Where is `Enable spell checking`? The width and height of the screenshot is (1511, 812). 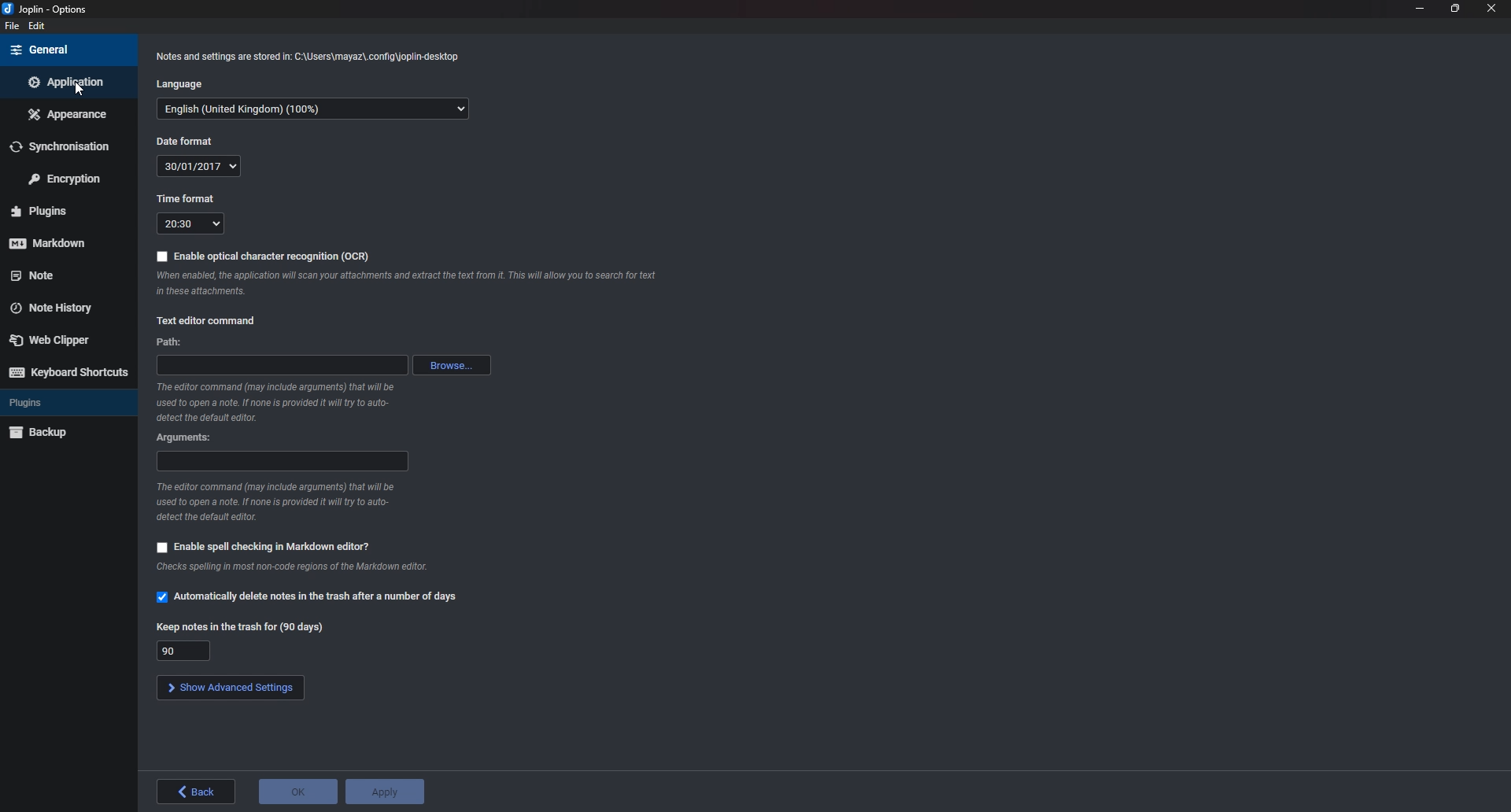 Enable spell checking is located at coordinates (261, 548).